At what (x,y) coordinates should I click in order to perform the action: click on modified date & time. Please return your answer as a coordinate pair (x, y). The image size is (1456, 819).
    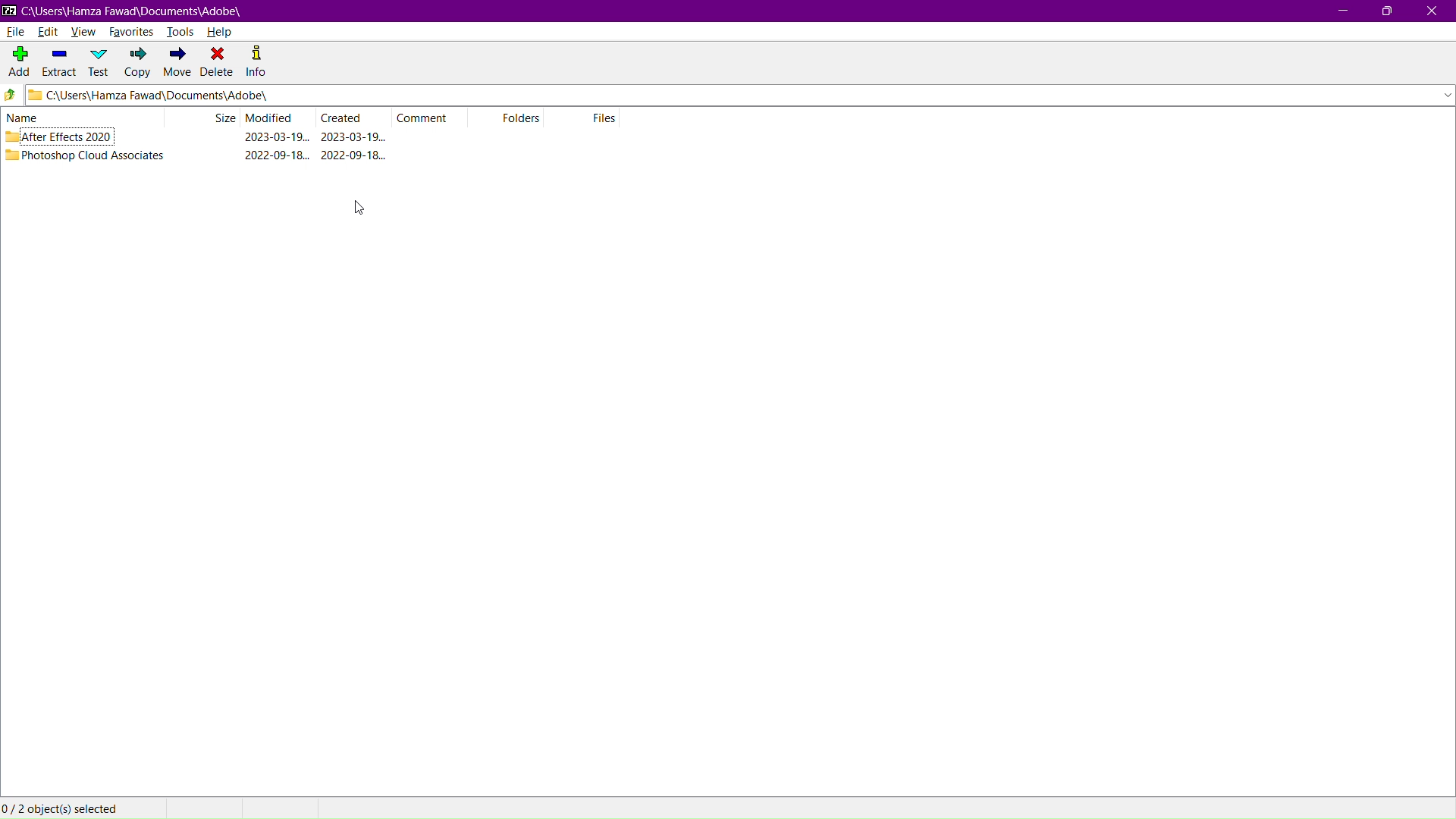
    Looking at the image, I should click on (276, 137).